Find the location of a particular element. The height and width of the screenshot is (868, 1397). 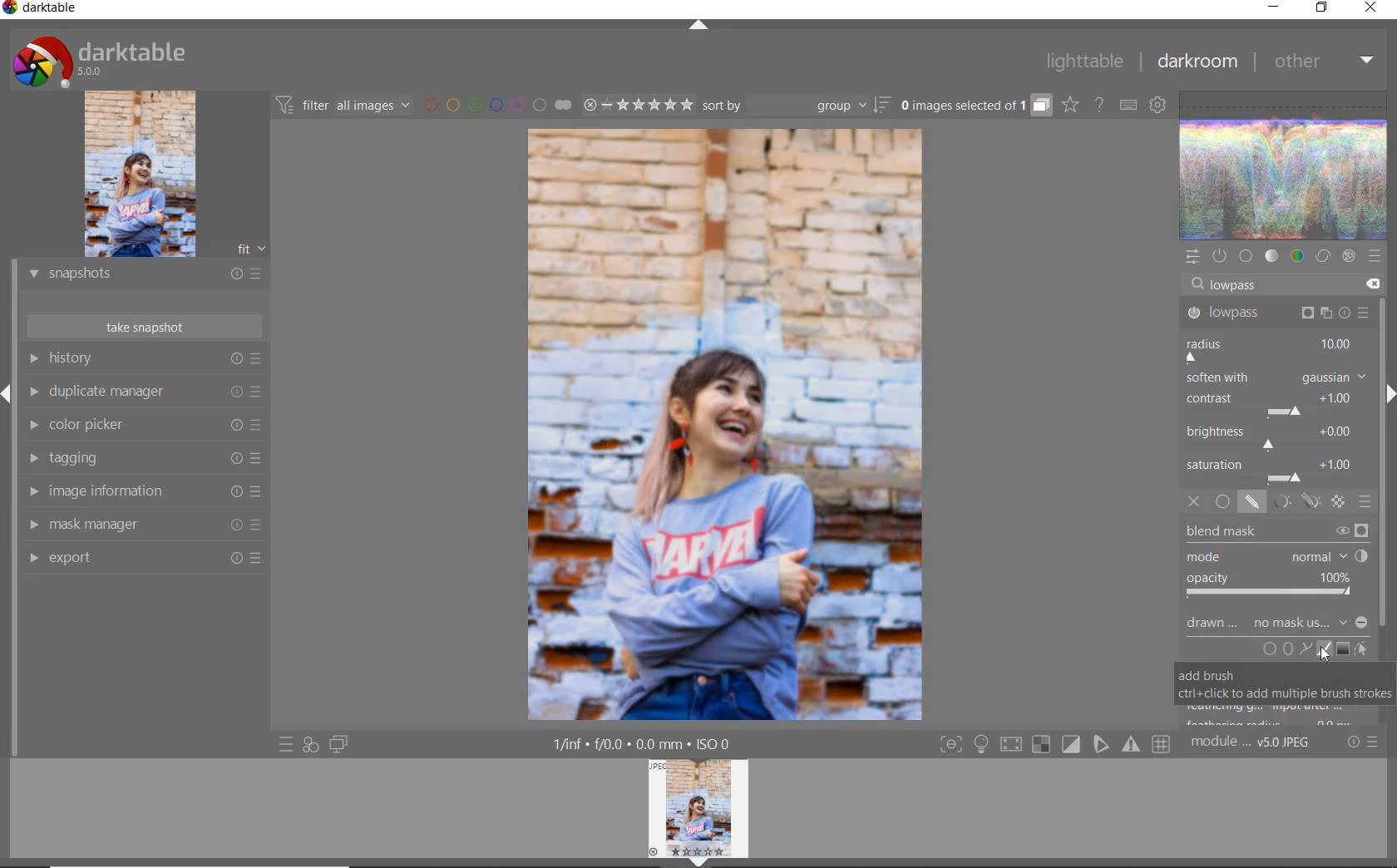

minimize is located at coordinates (1275, 8).